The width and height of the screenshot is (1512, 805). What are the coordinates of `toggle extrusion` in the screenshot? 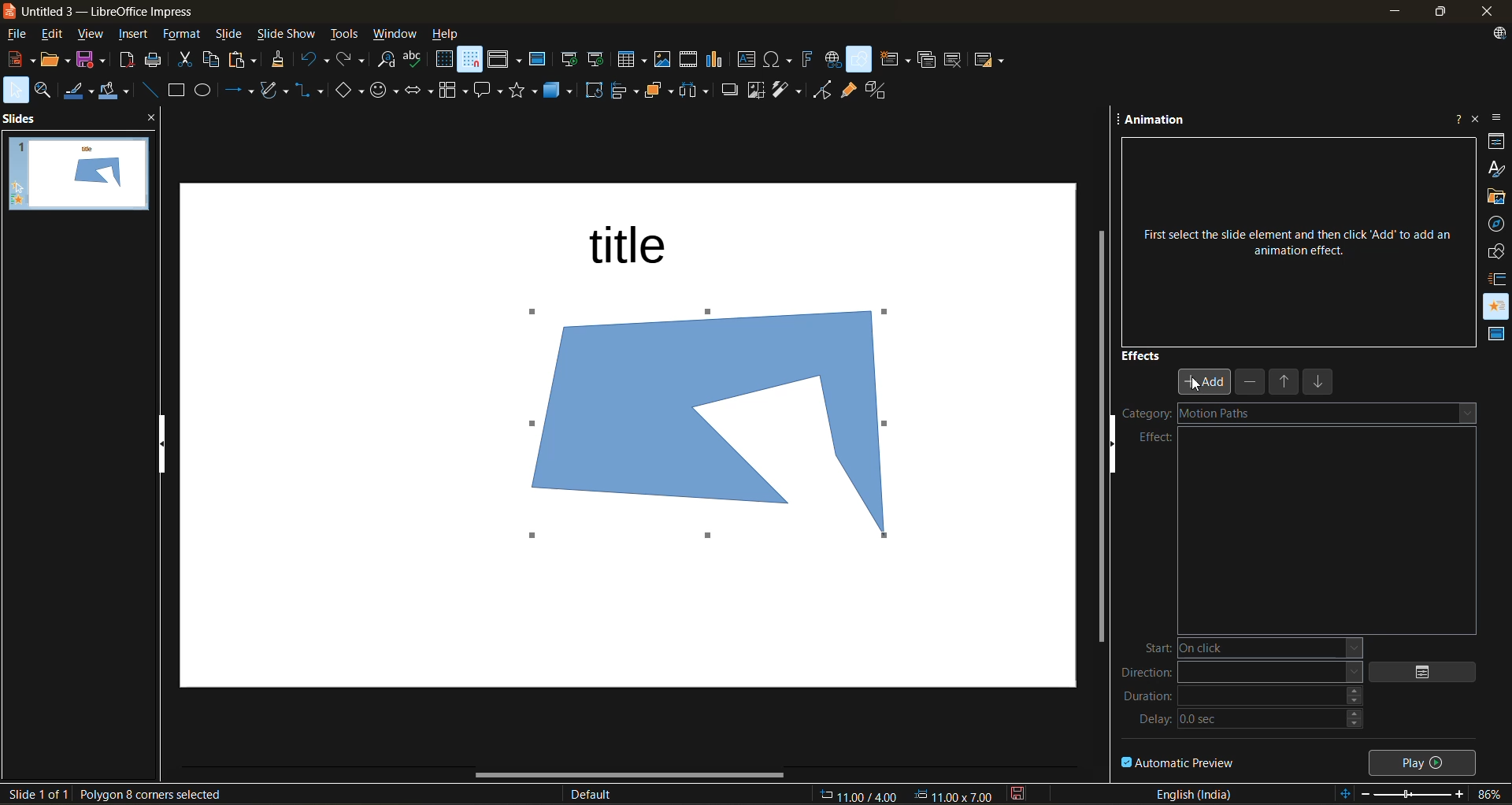 It's located at (876, 91).